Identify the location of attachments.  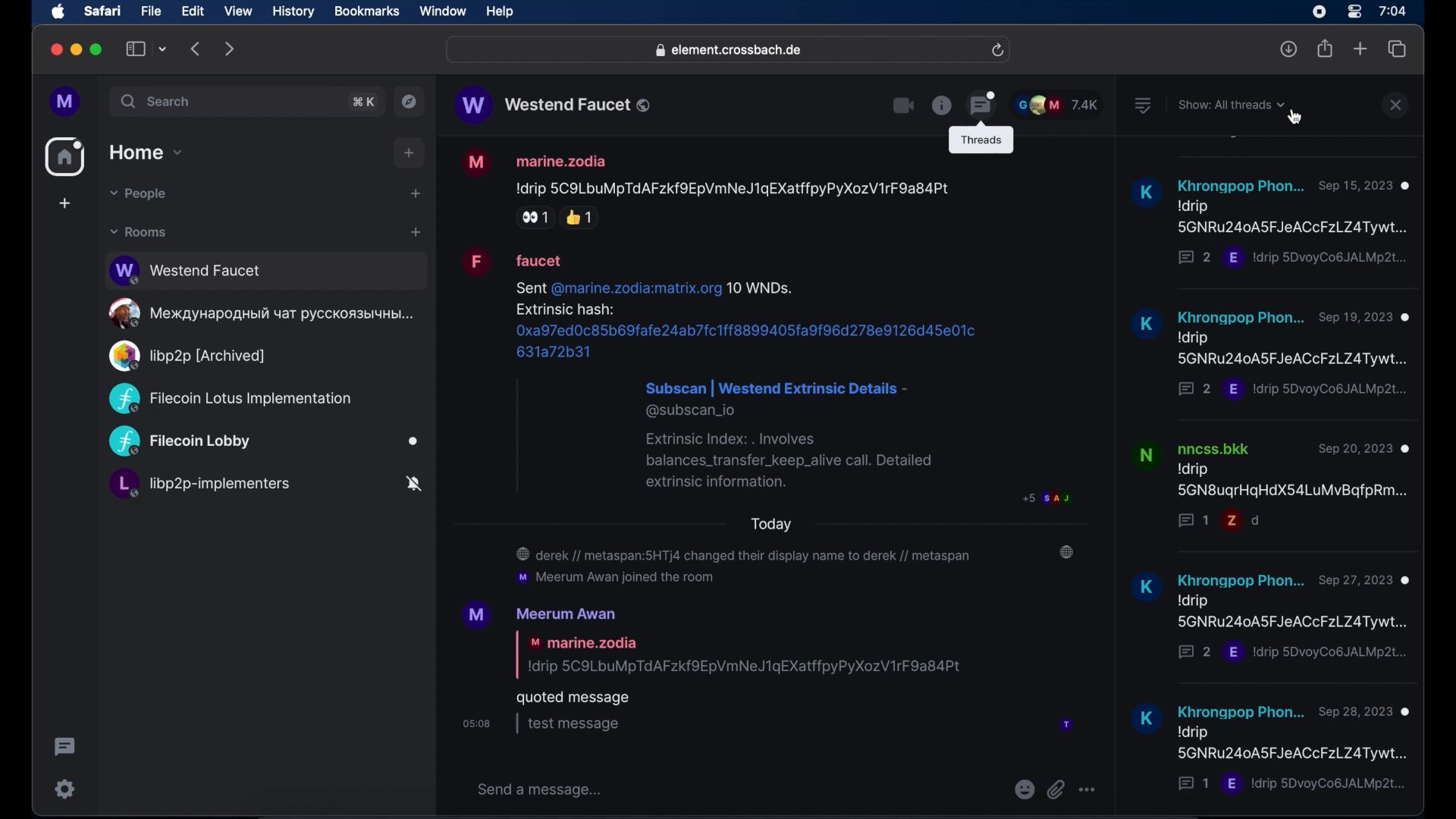
(1059, 789).